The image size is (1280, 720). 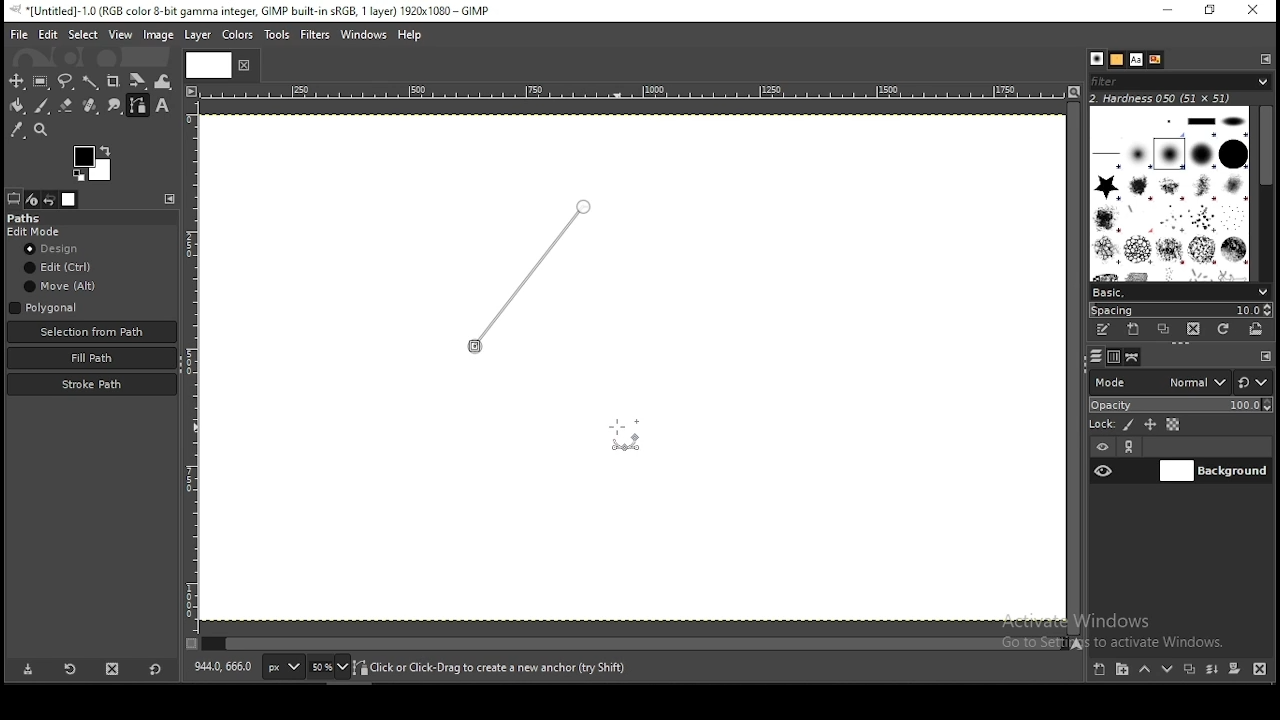 I want to click on zoom tool, so click(x=42, y=129).